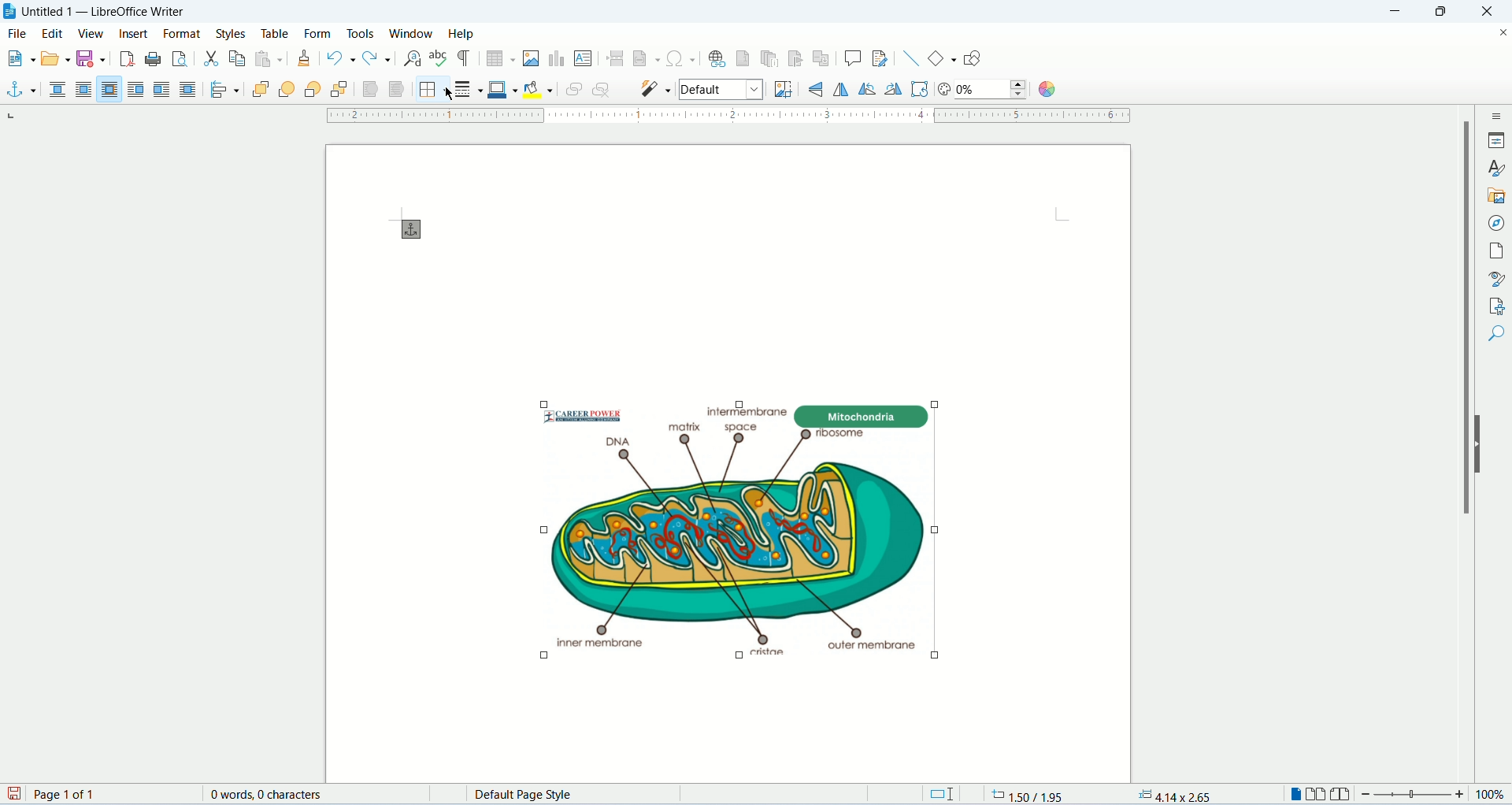  Describe the element at coordinates (853, 58) in the screenshot. I see `insert comment` at that location.